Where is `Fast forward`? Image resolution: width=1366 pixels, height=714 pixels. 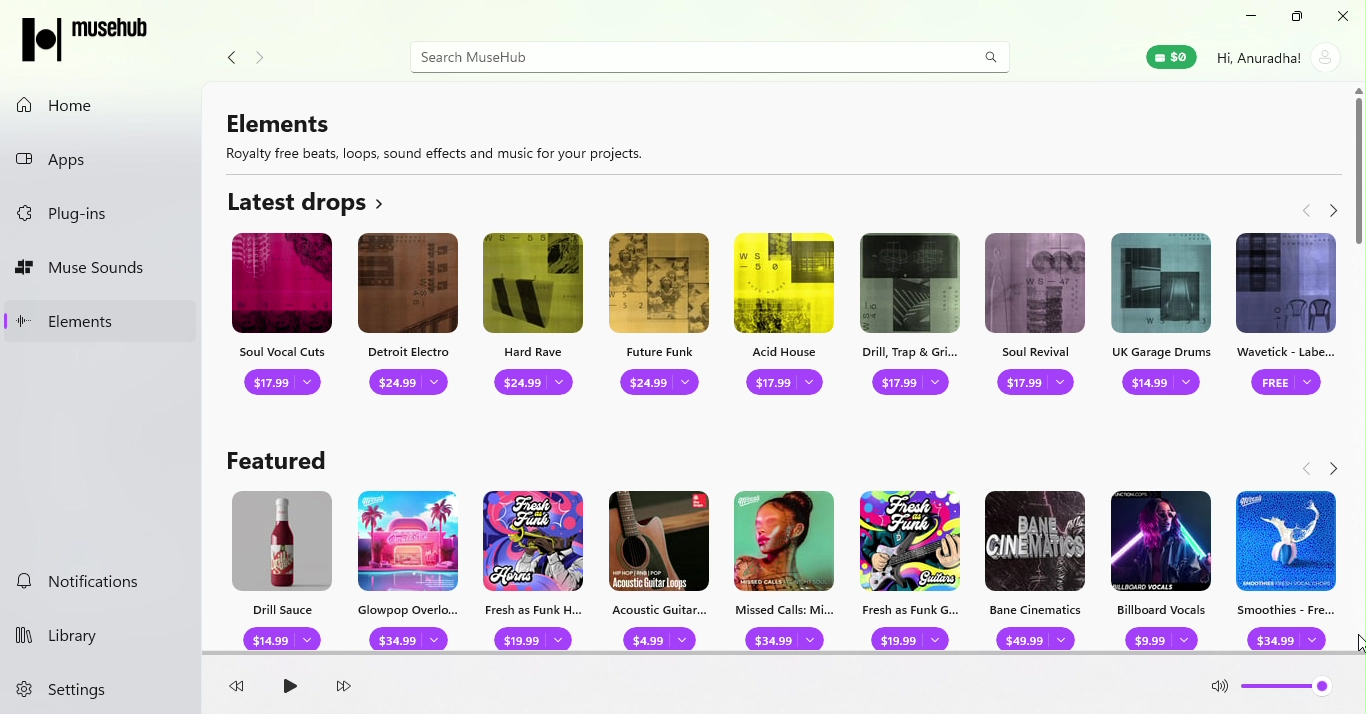 Fast forward is located at coordinates (344, 688).